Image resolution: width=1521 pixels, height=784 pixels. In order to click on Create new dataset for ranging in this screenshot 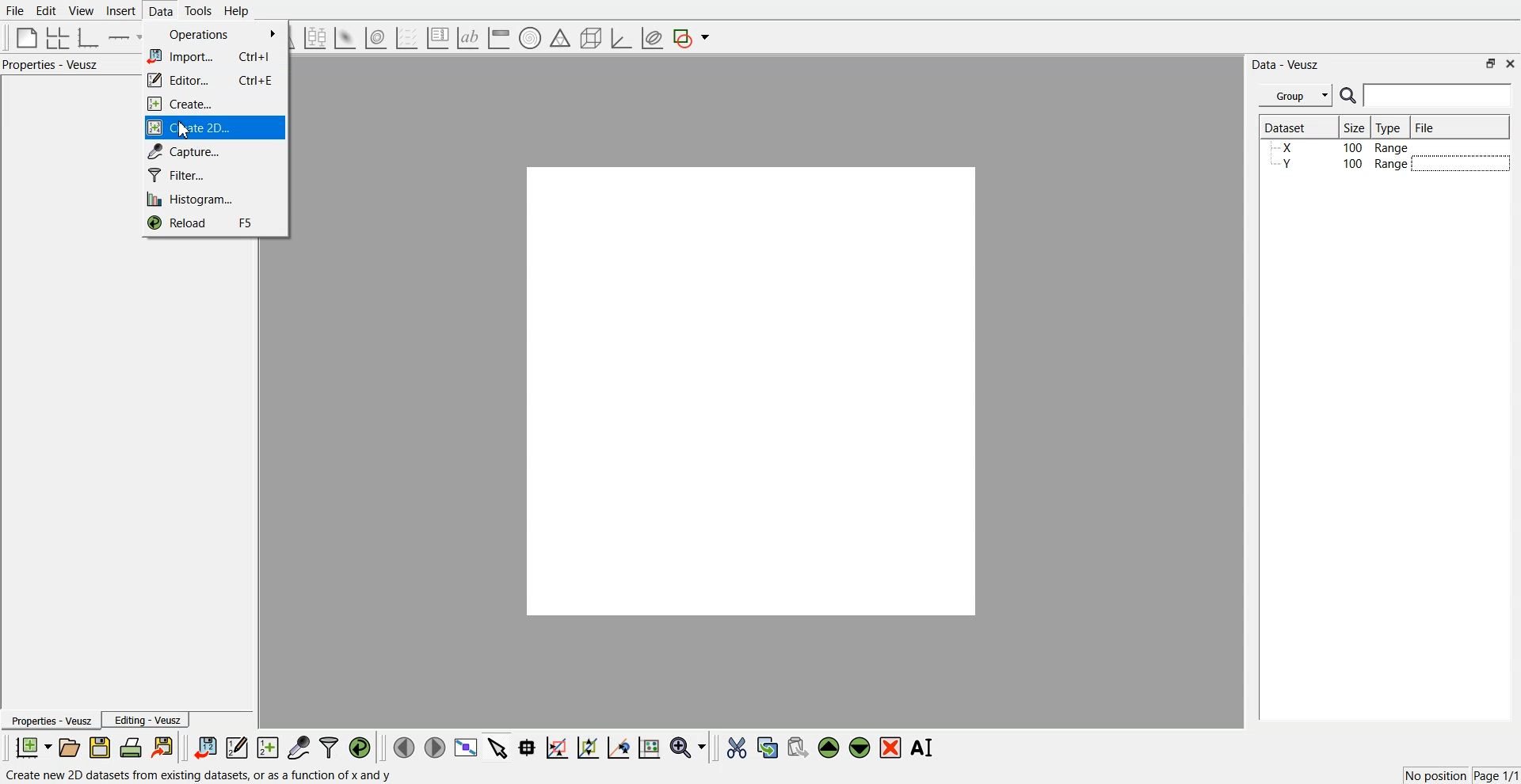, I will do `click(267, 748)`.